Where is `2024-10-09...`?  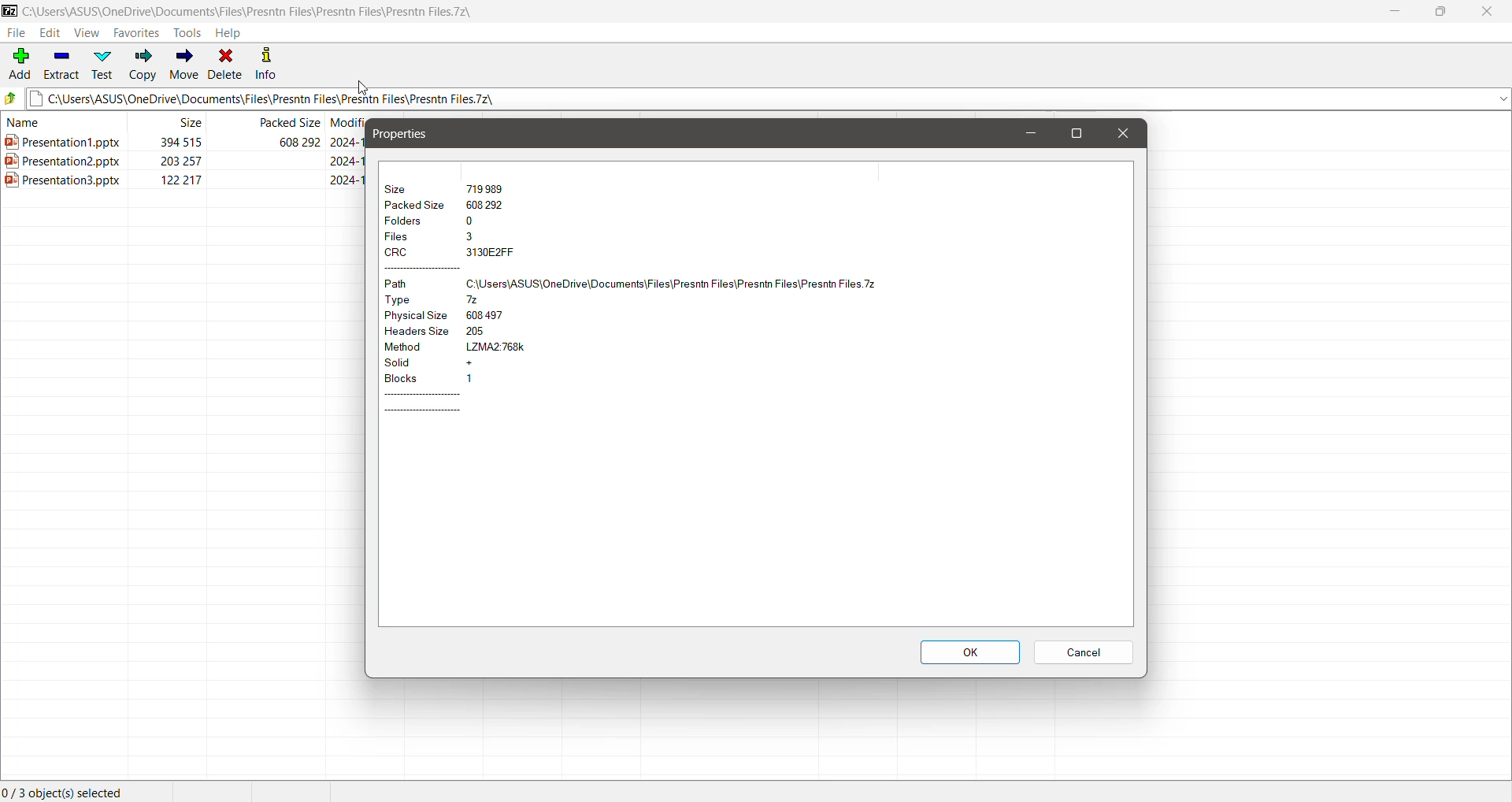 2024-10-09... is located at coordinates (349, 161).